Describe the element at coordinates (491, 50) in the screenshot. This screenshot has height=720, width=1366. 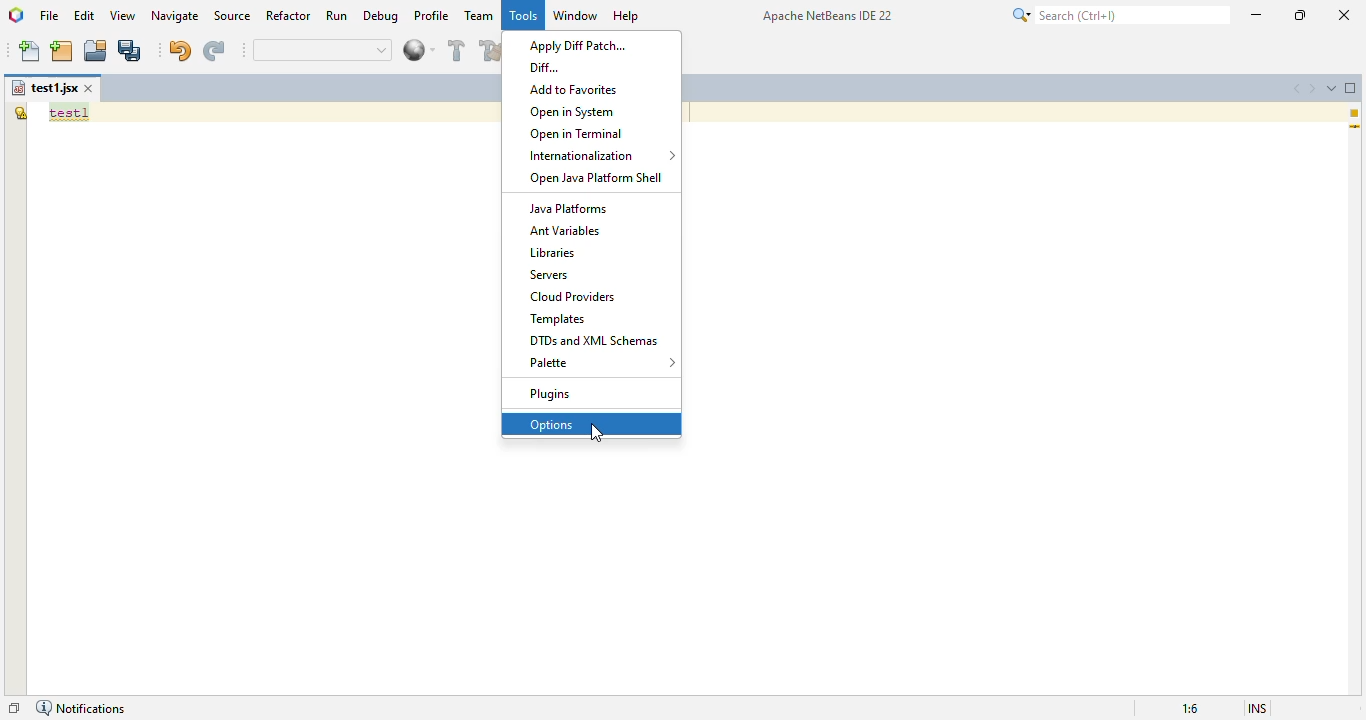
I see `clean and build project` at that location.